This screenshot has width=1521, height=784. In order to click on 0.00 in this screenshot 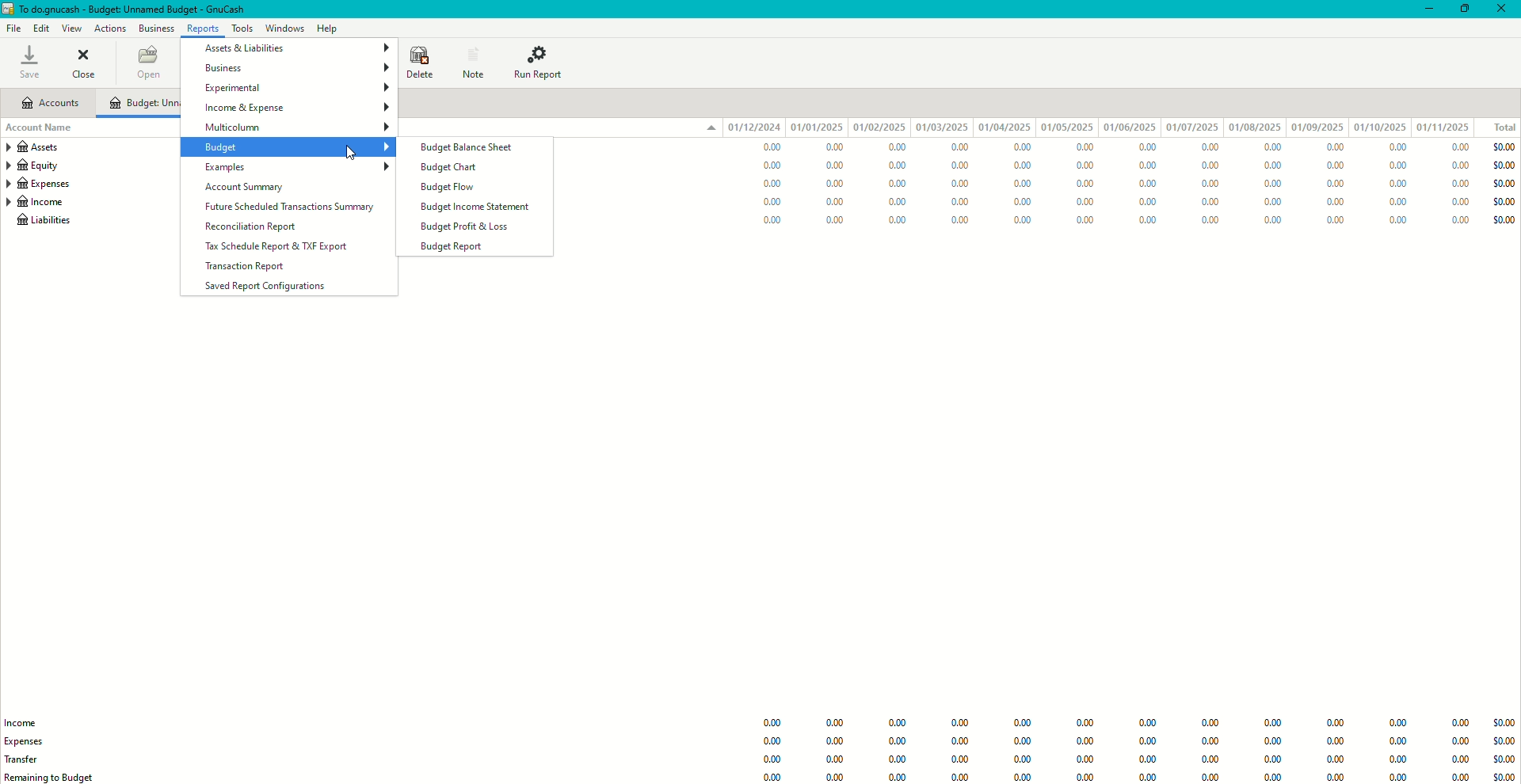, I will do `click(1334, 724)`.